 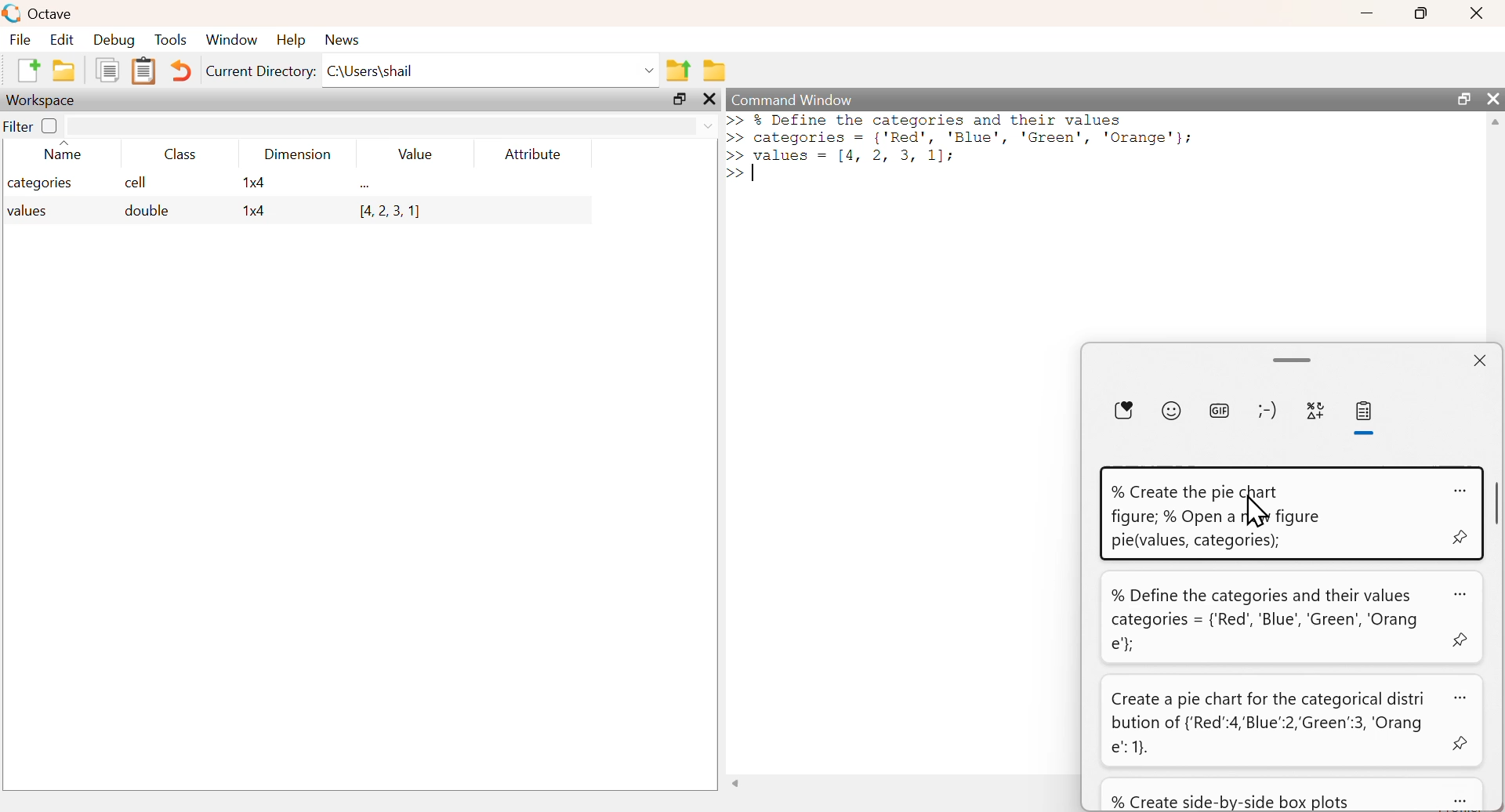 I want to click on Tools, so click(x=172, y=39).